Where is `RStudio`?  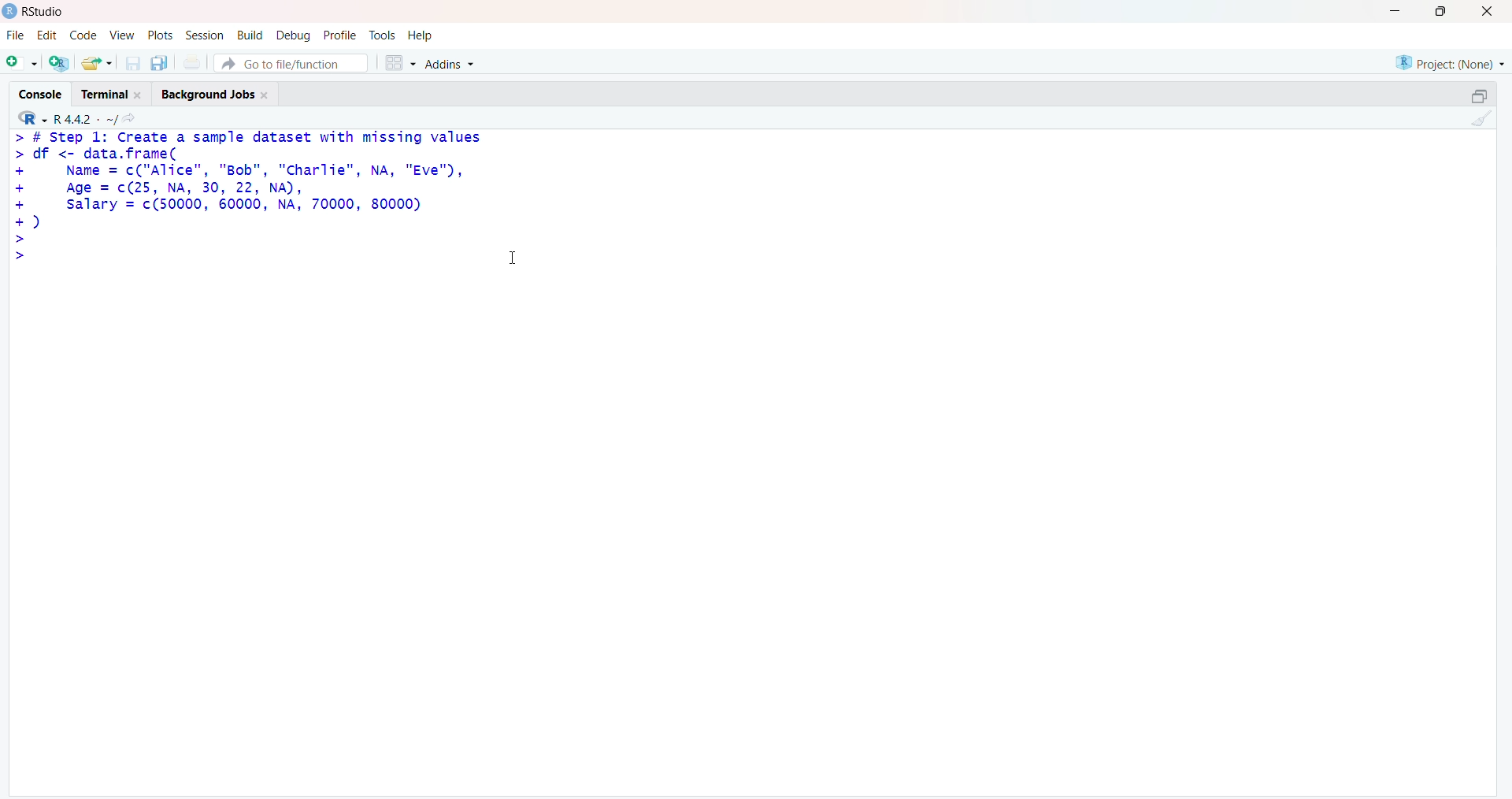 RStudio is located at coordinates (33, 13).